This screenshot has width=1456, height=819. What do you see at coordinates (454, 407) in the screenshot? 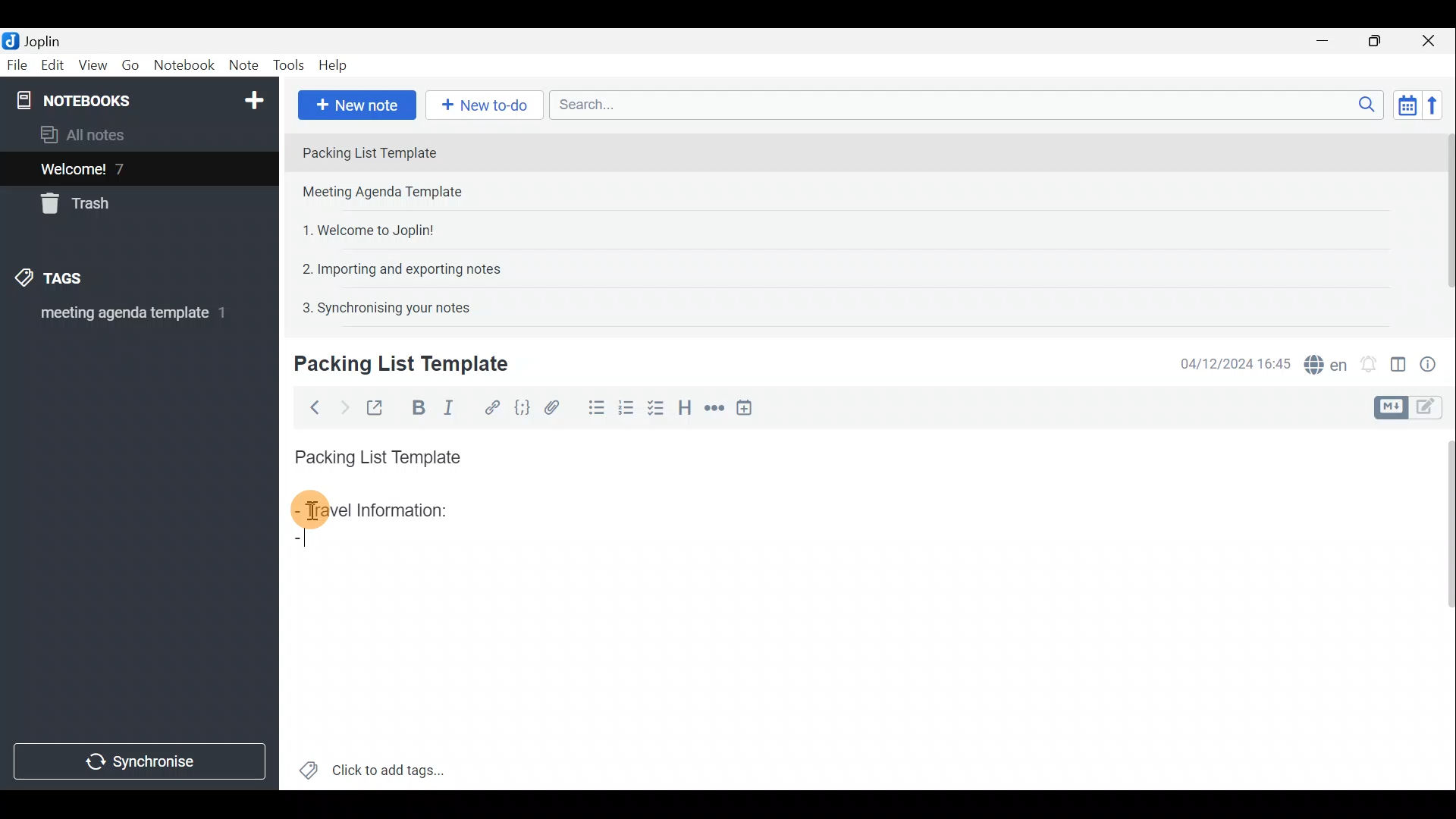
I see `Italic` at bounding box center [454, 407].